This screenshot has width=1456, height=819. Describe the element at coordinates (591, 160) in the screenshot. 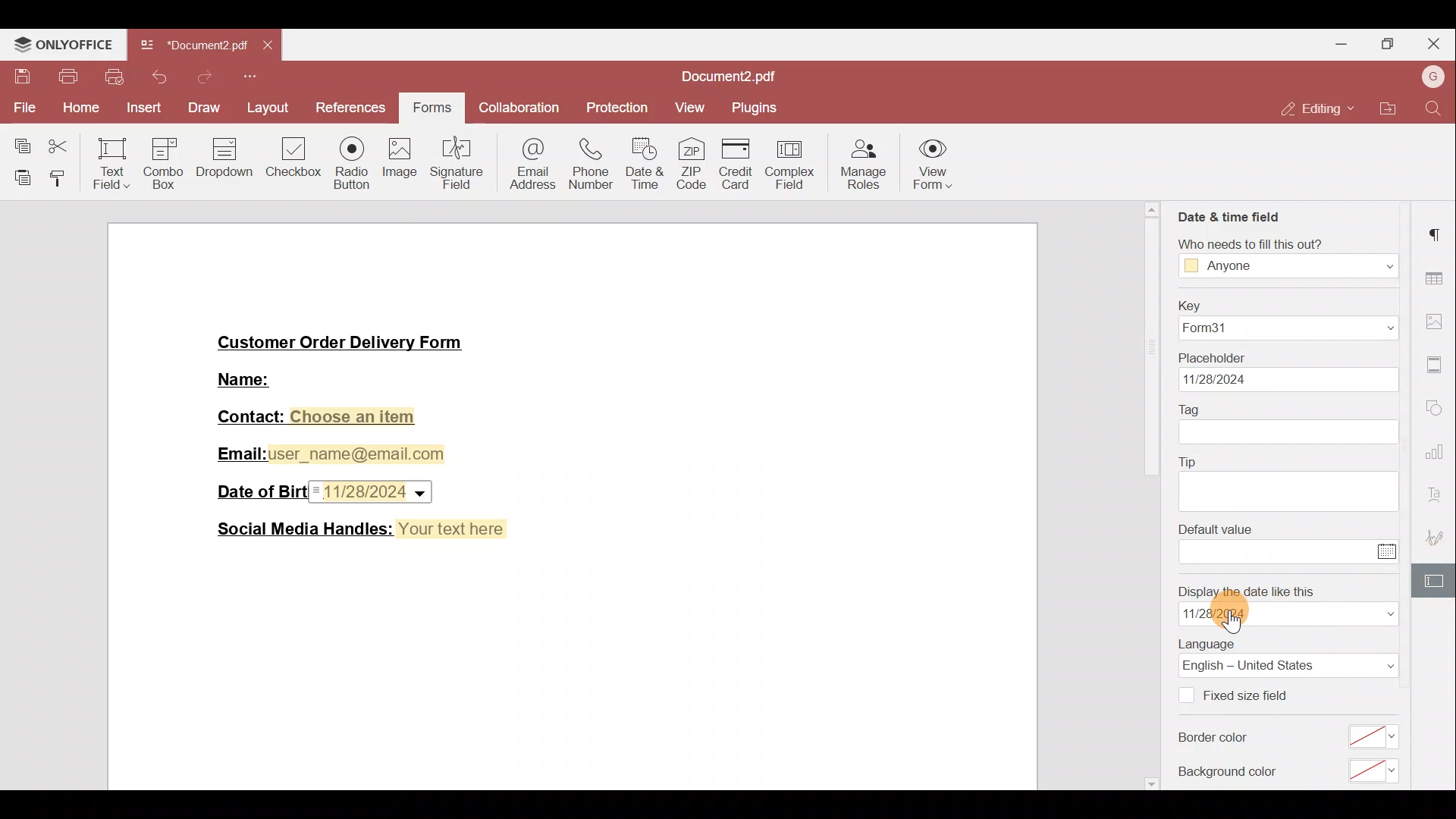

I see `Phone number` at that location.